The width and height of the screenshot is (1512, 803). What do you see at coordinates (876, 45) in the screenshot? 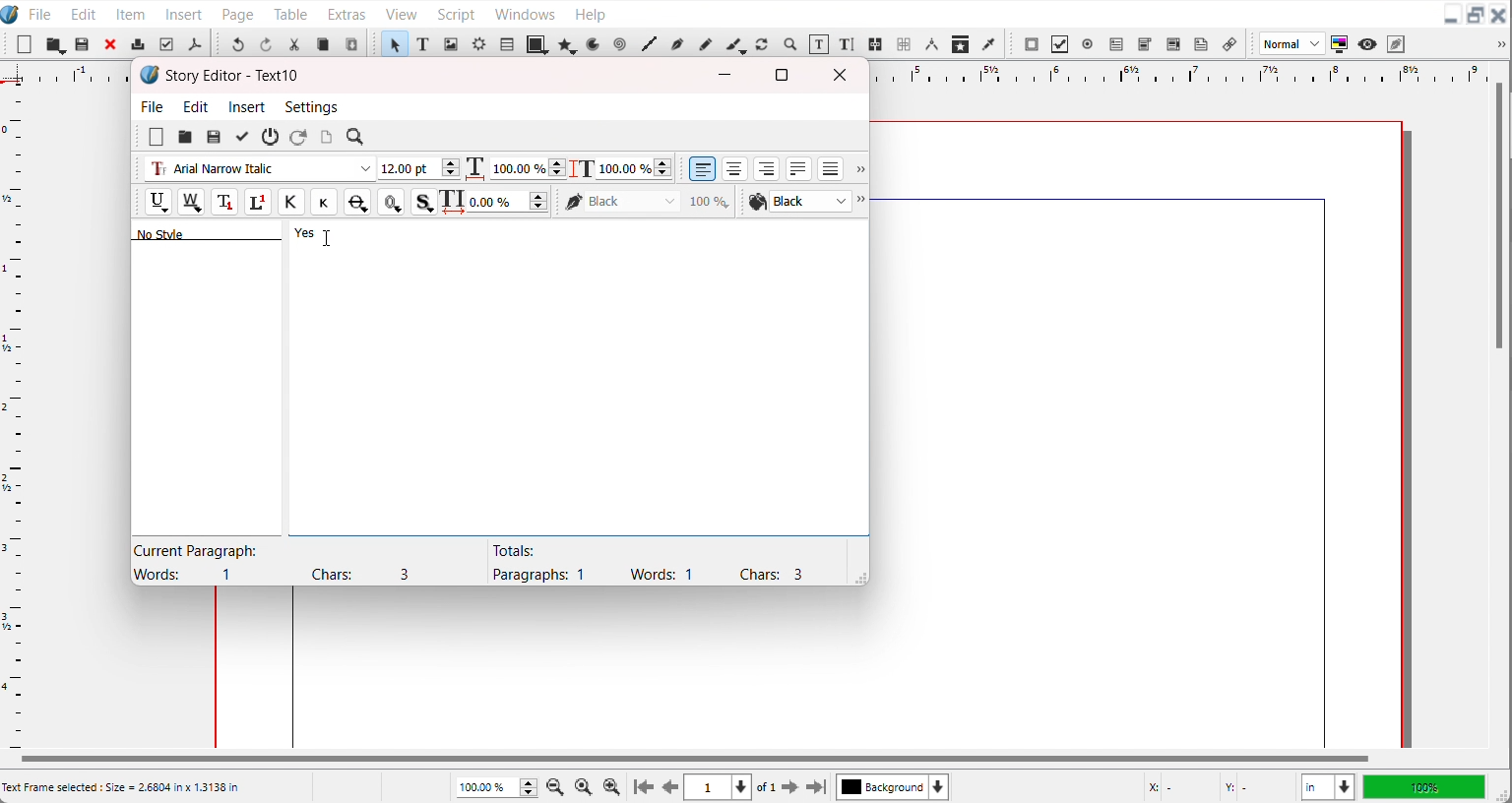
I see `Link text frame` at bounding box center [876, 45].